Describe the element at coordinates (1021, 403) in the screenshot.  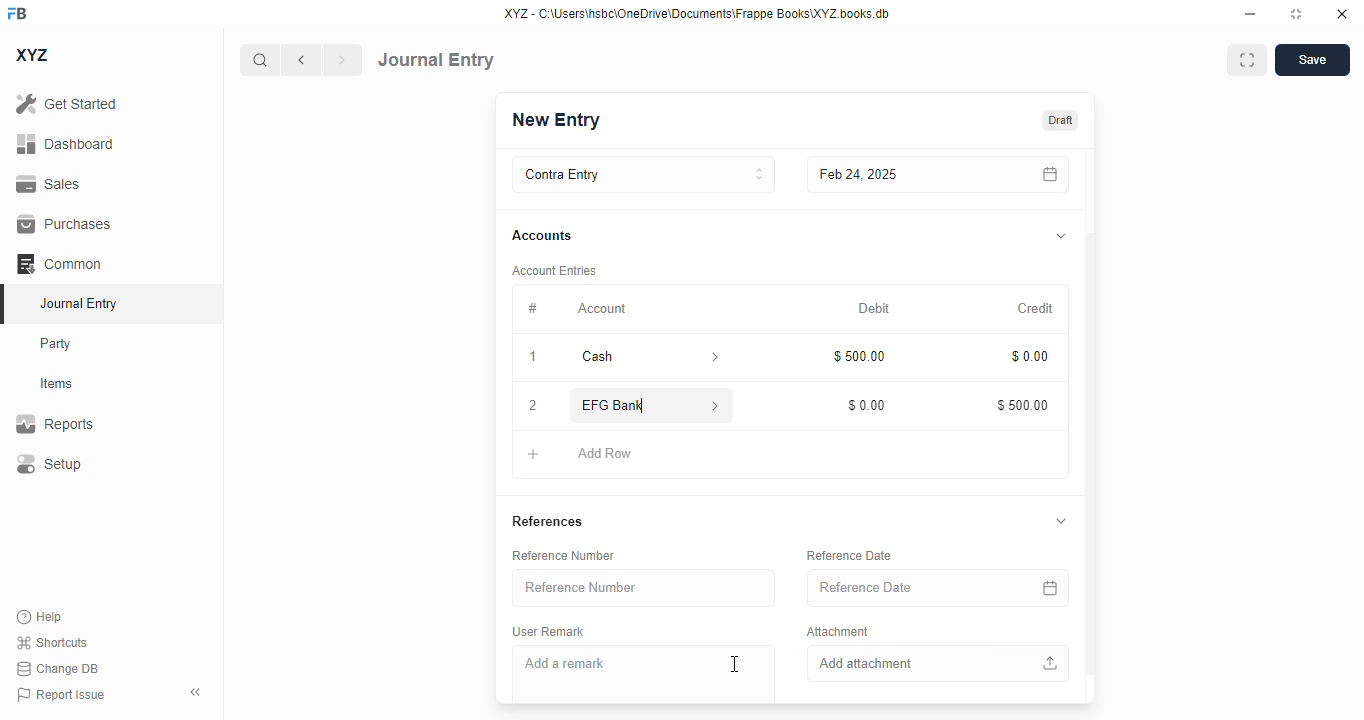
I see `$500.00` at that location.